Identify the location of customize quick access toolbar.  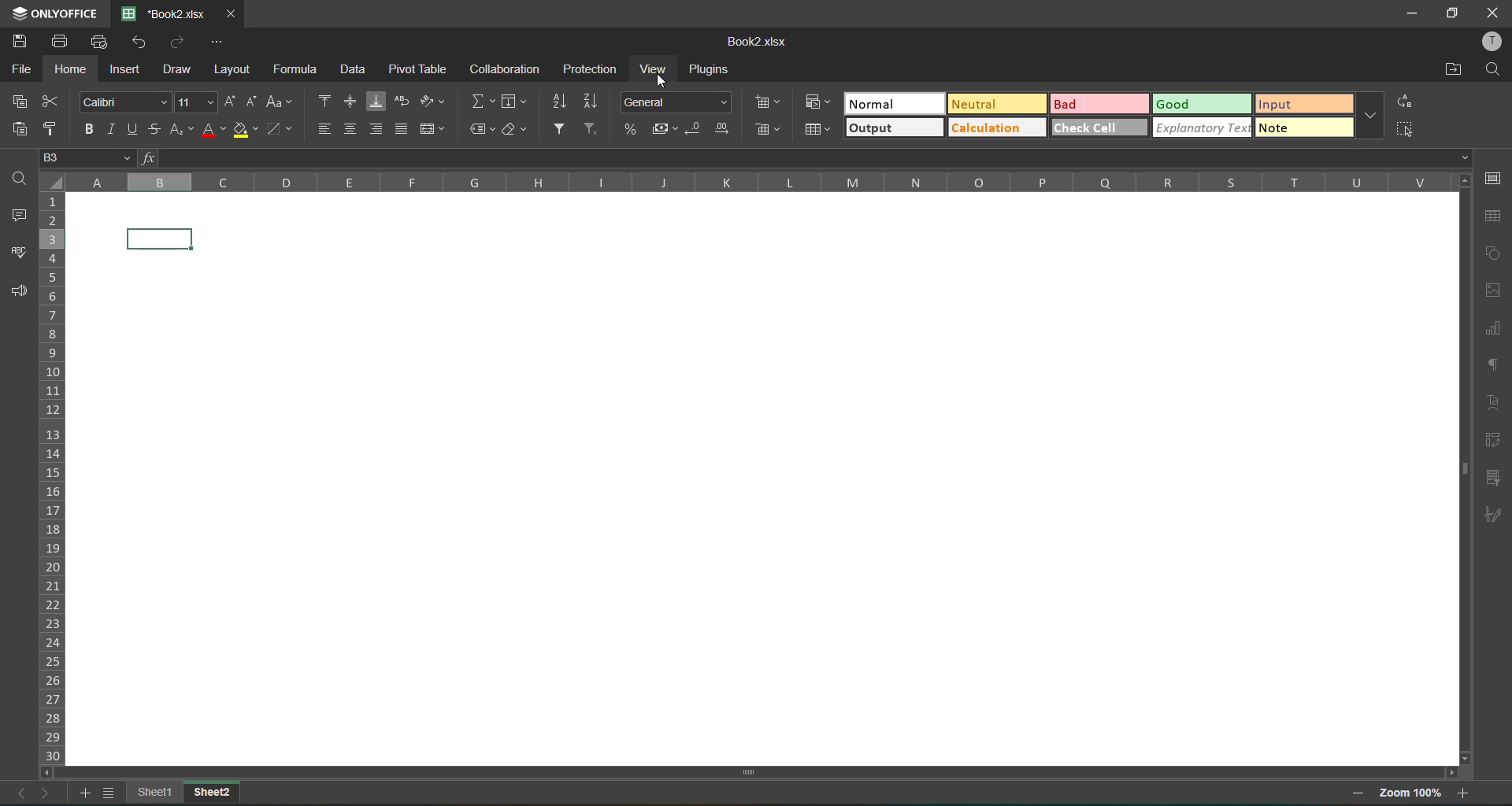
(218, 43).